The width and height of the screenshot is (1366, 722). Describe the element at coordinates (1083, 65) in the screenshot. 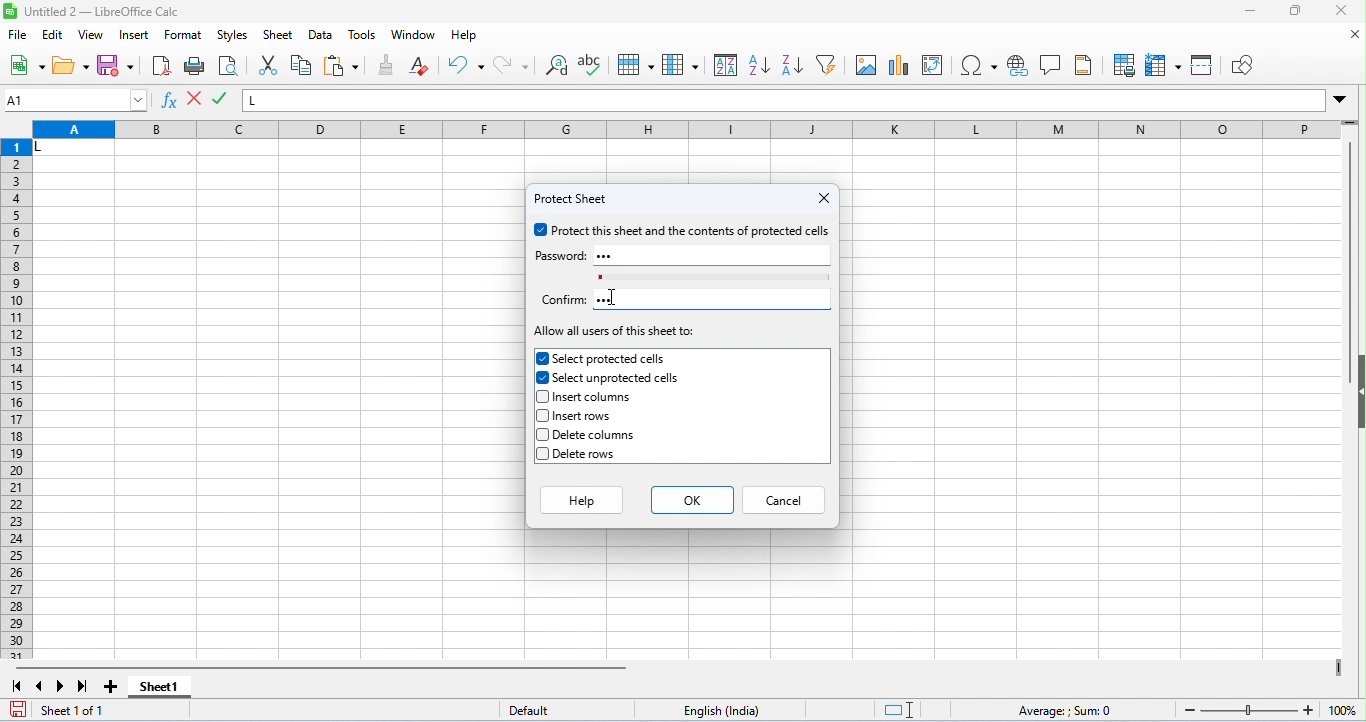

I see `header and footer` at that location.